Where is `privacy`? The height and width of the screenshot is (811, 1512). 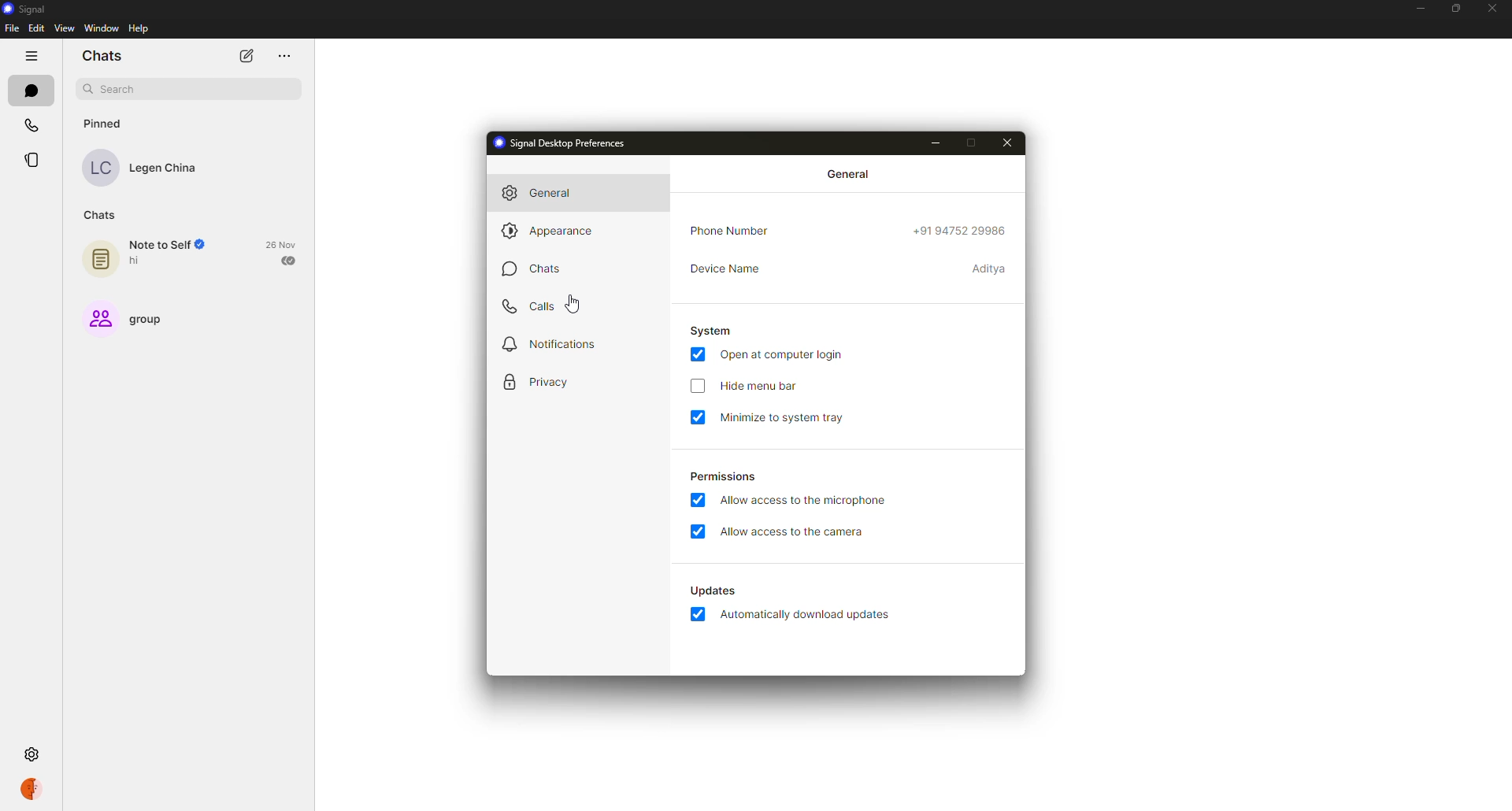 privacy is located at coordinates (540, 380).